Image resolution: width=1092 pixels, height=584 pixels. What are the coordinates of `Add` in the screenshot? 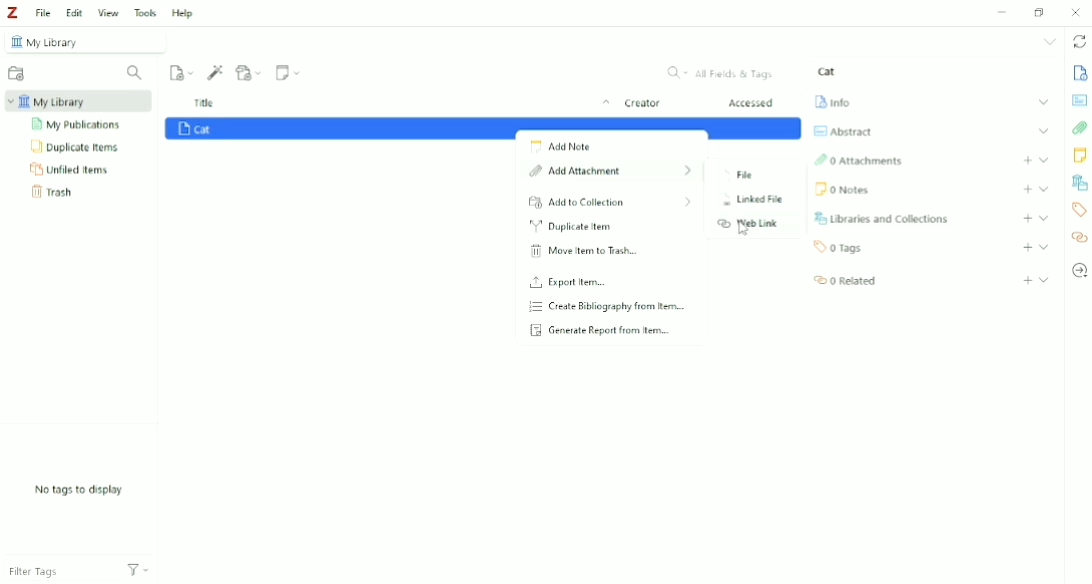 It's located at (1028, 248).